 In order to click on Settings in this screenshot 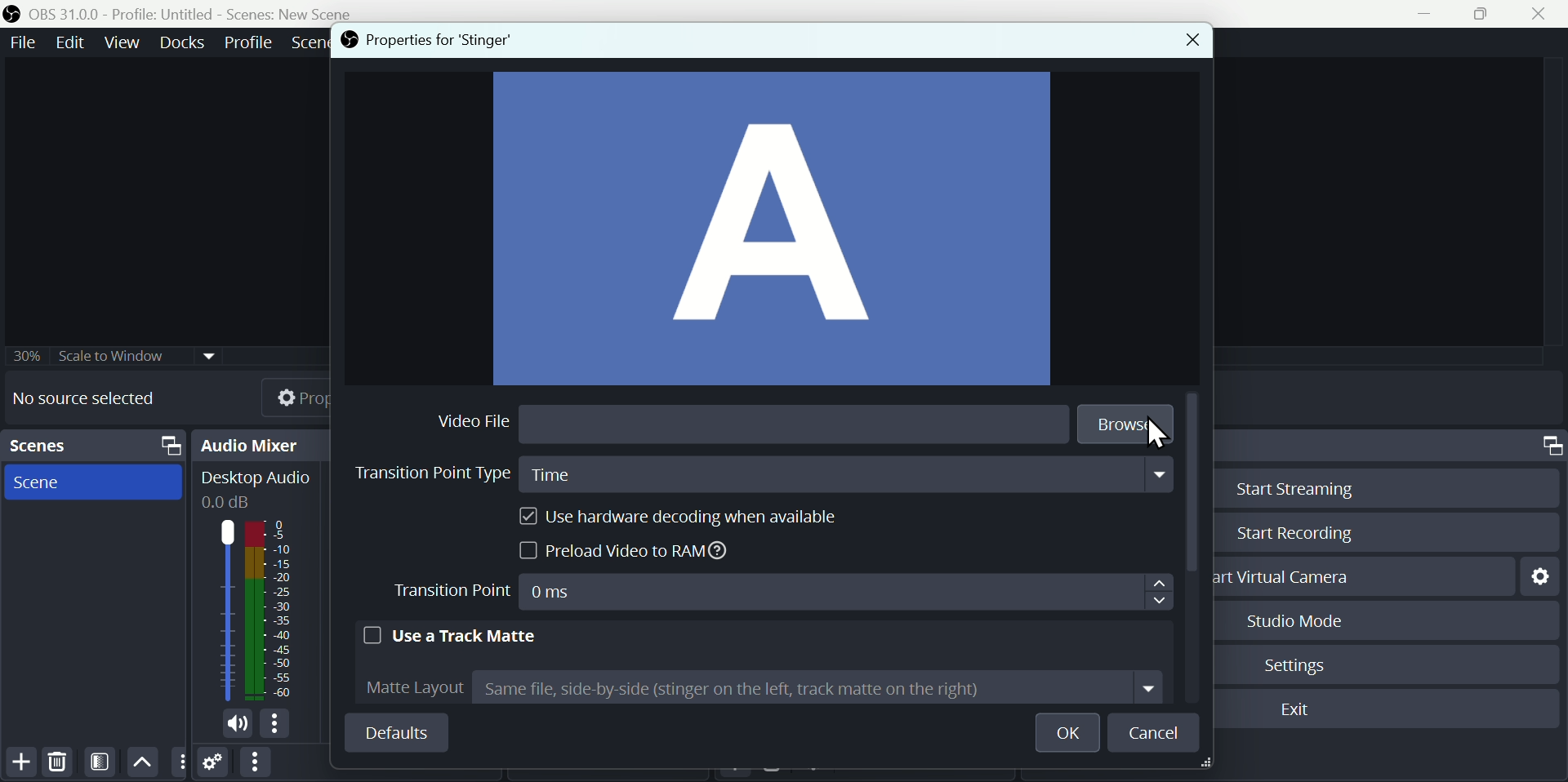, I will do `click(214, 765)`.